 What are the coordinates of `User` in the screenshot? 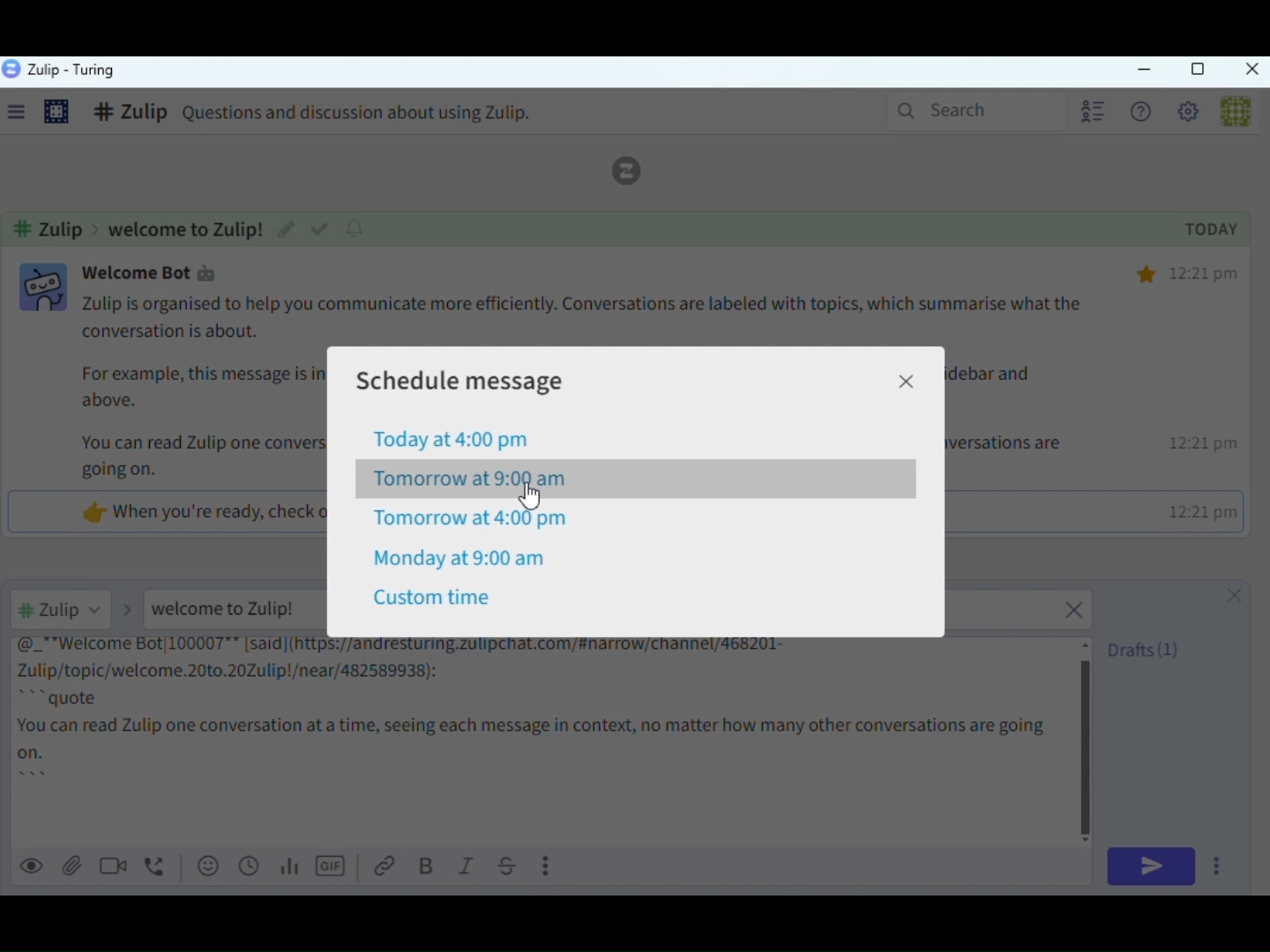 It's located at (78, 608).